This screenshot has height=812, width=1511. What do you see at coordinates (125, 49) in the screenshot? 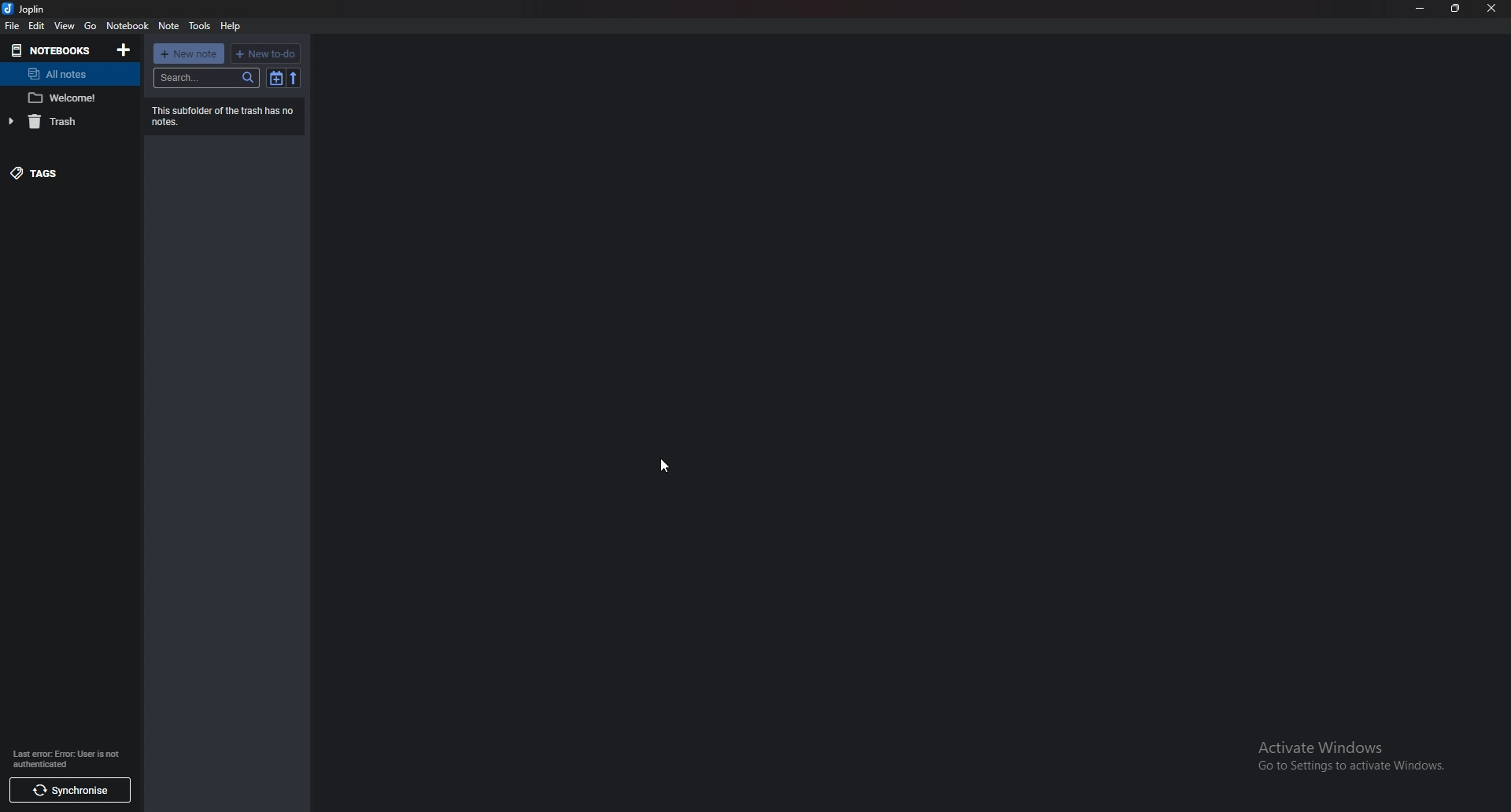
I see `add notebooks` at bounding box center [125, 49].